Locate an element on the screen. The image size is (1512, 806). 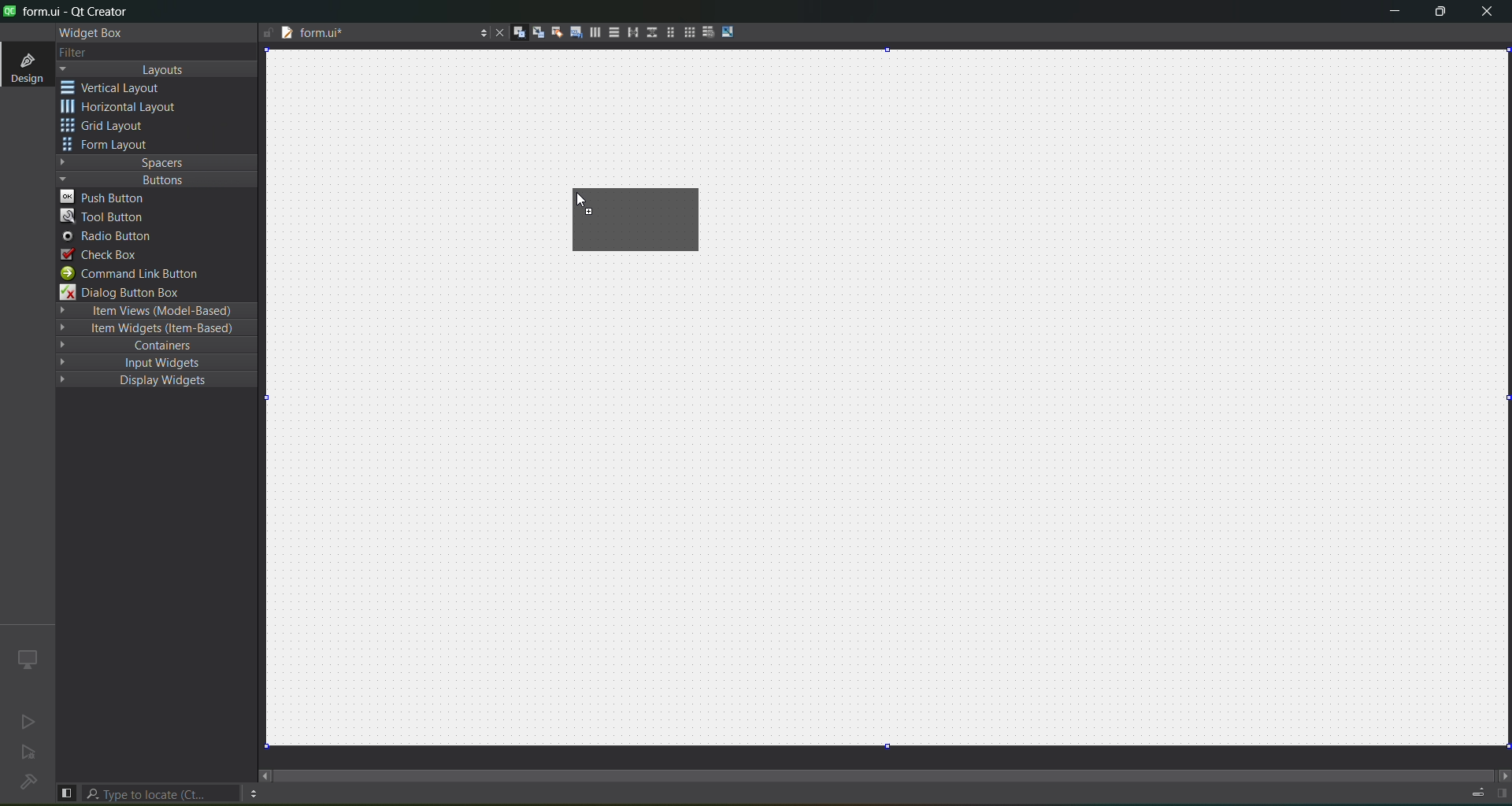
tab name is located at coordinates (360, 35).